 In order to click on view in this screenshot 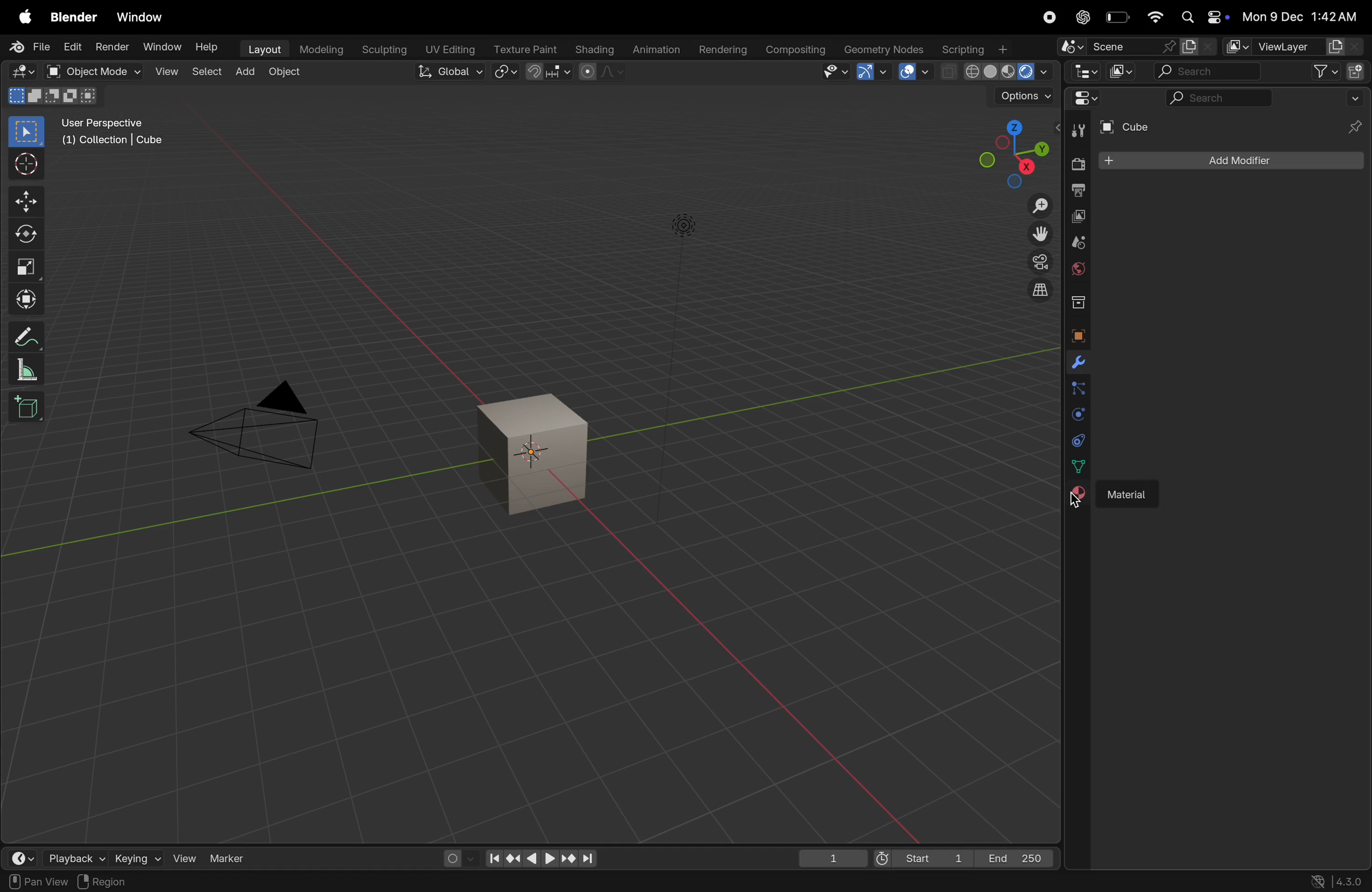, I will do `click(166, 73)`.